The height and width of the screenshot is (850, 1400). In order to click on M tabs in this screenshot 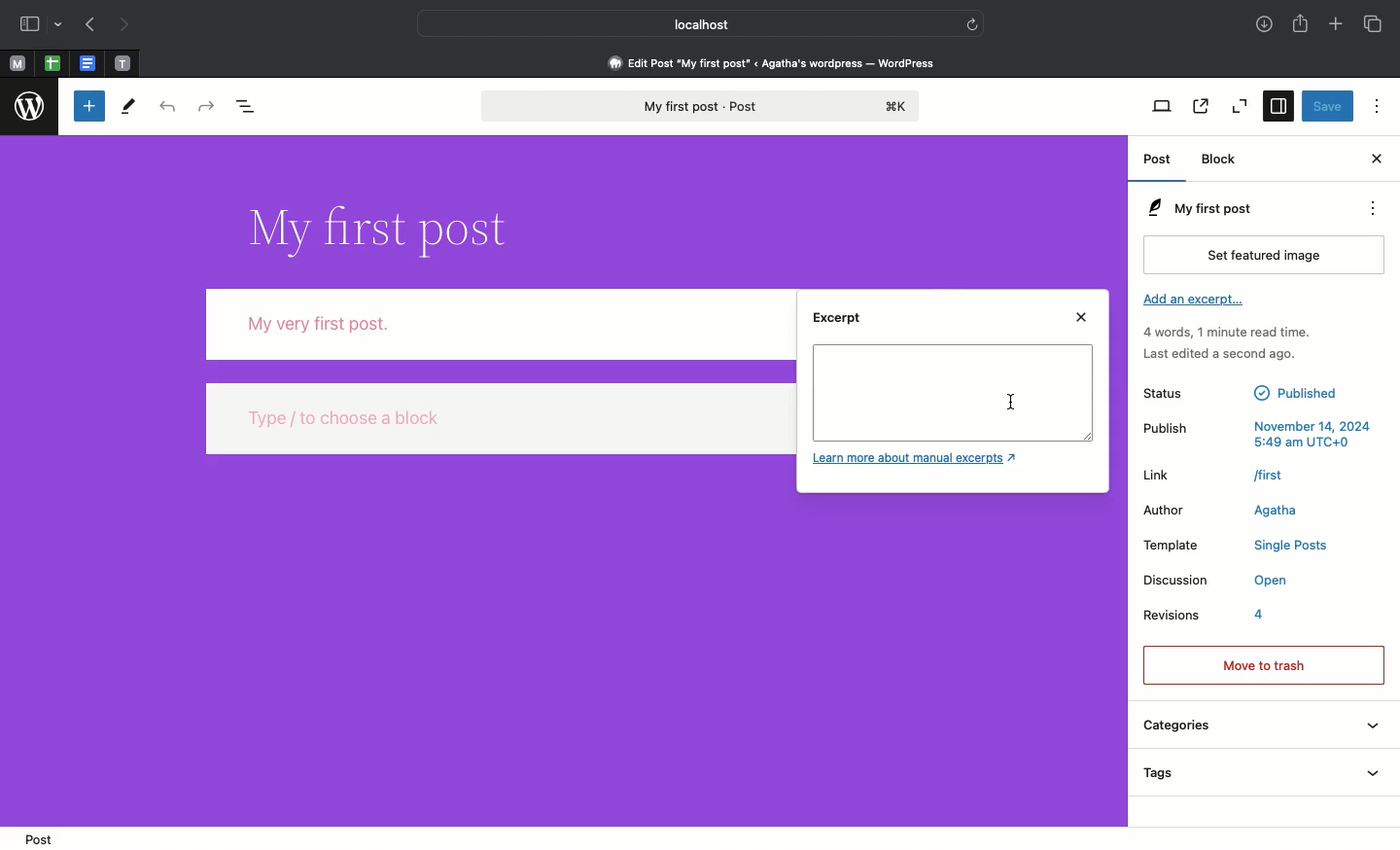, I will do `click(15, 62)`.